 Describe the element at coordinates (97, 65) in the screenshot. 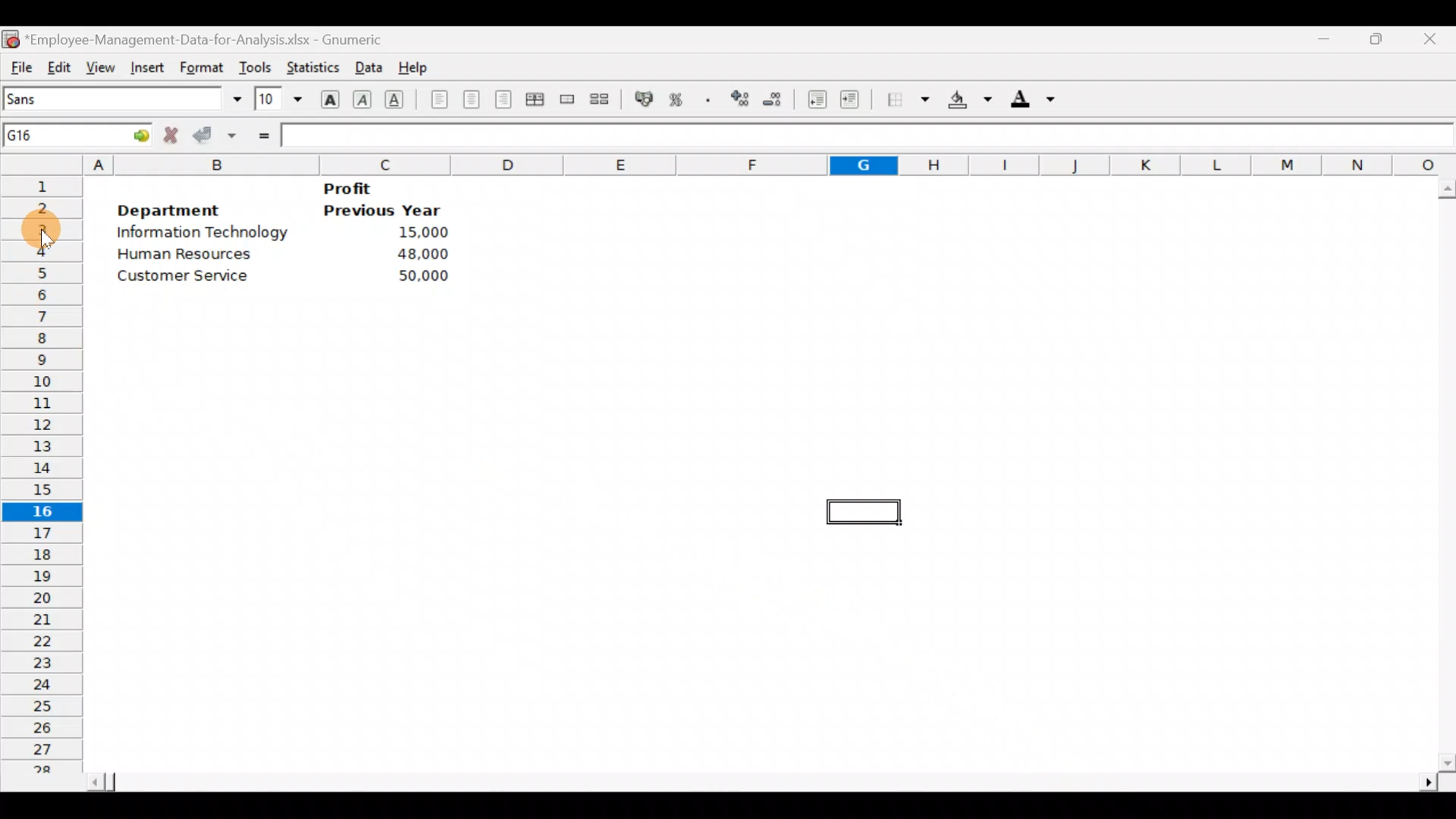

I see `View` at that location.